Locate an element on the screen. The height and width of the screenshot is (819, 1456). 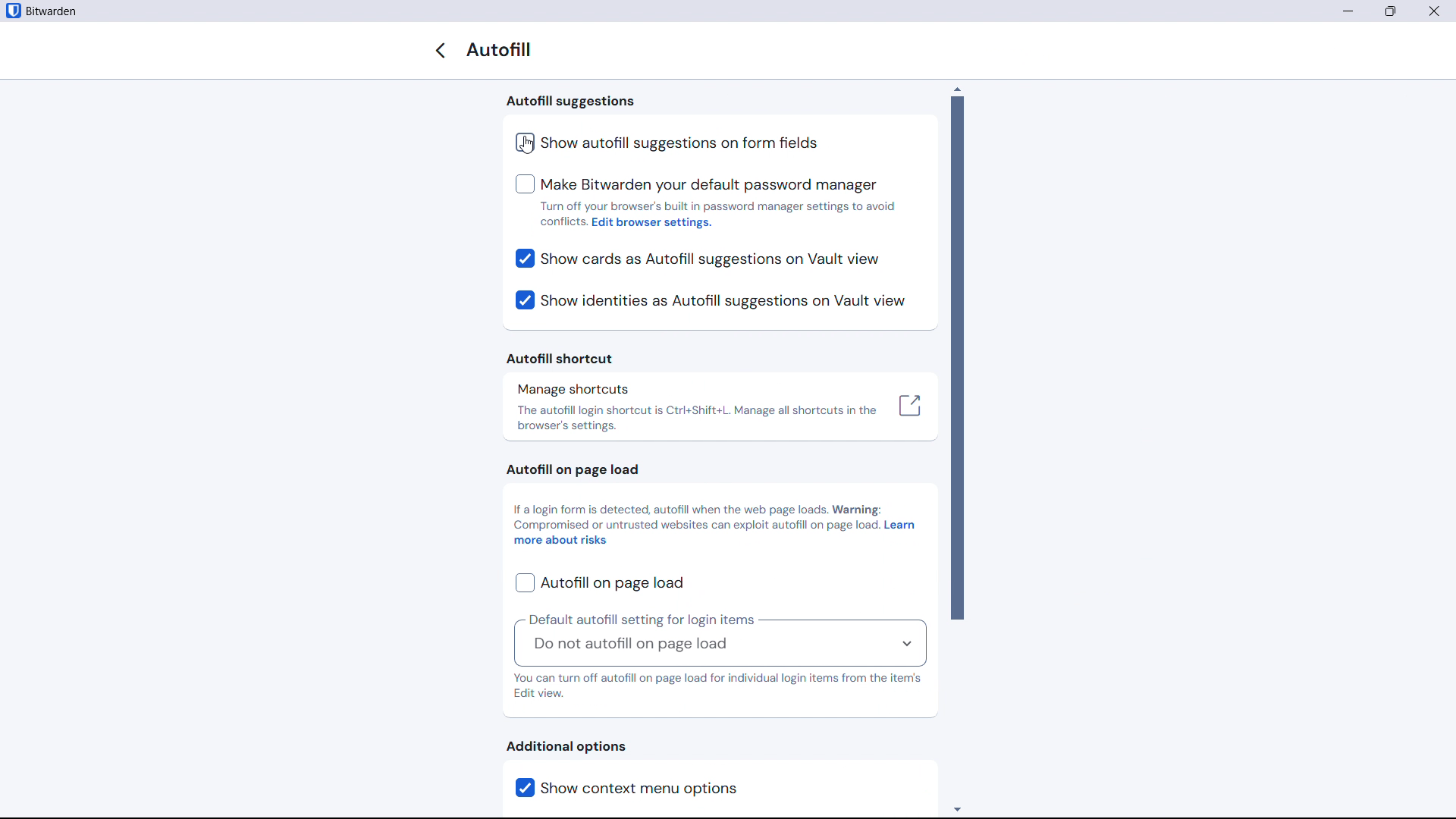
more about risks is located at coordinates (562, 541).